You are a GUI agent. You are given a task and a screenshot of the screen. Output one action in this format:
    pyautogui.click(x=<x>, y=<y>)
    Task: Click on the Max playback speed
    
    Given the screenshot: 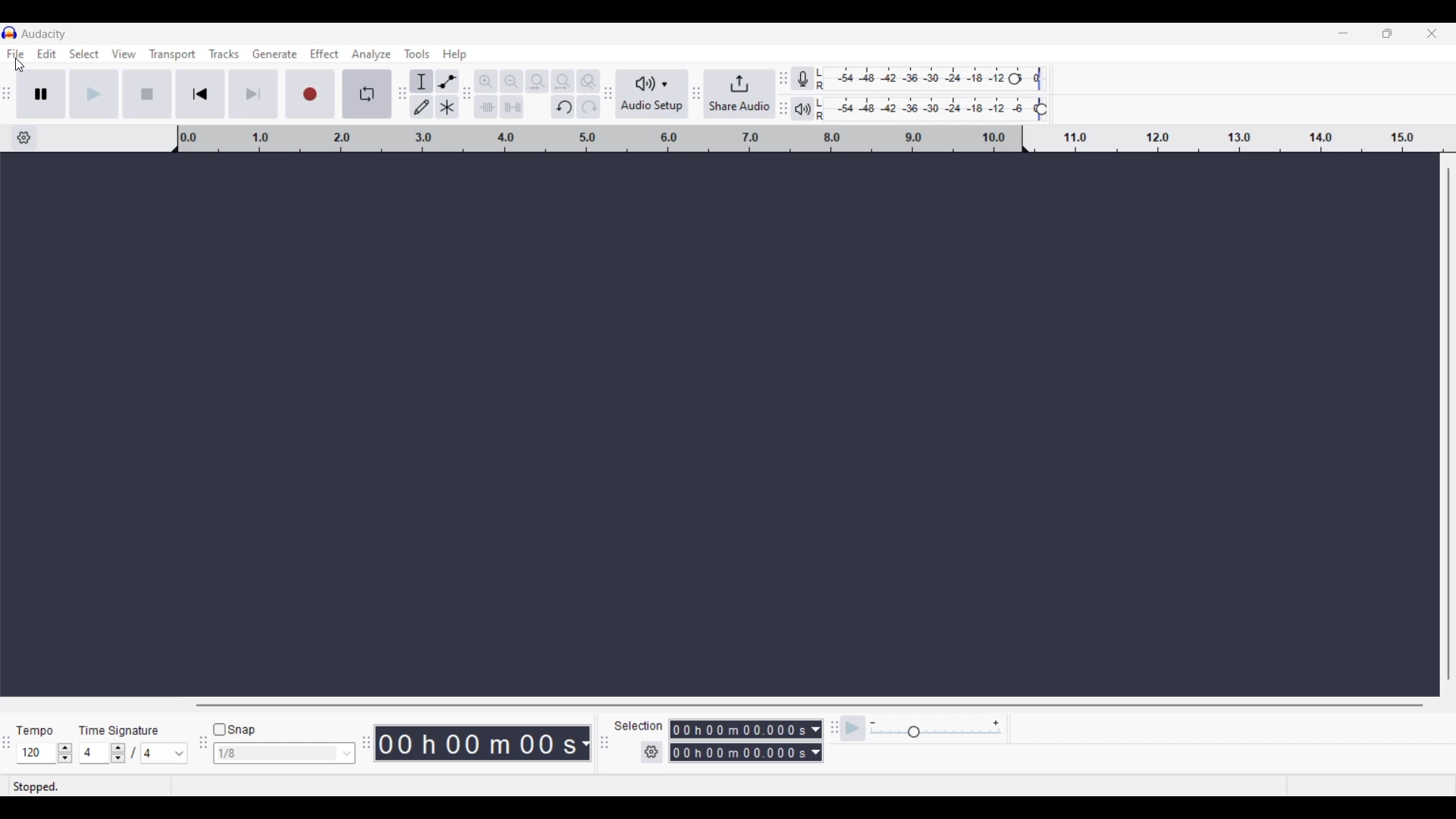 What is the action you would take?
    pyautogui.click(x=996, y=723)
    